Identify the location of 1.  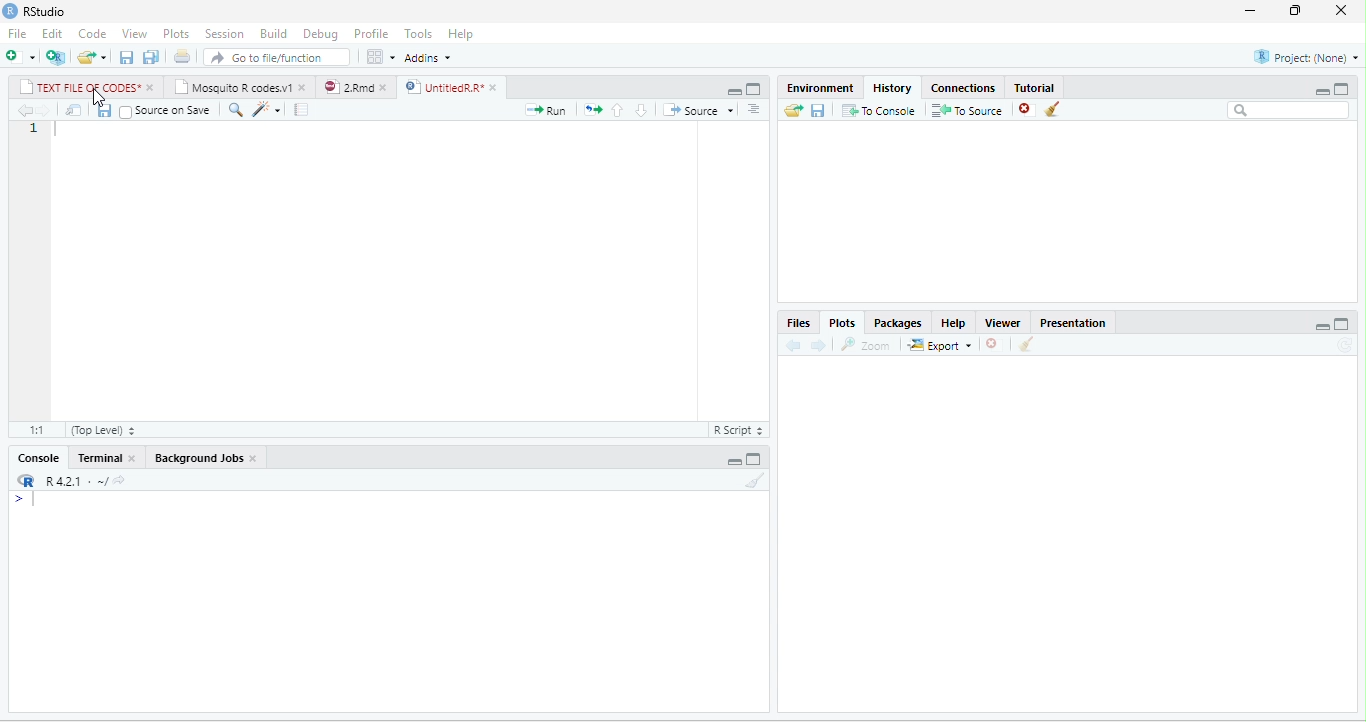
(35, 129).